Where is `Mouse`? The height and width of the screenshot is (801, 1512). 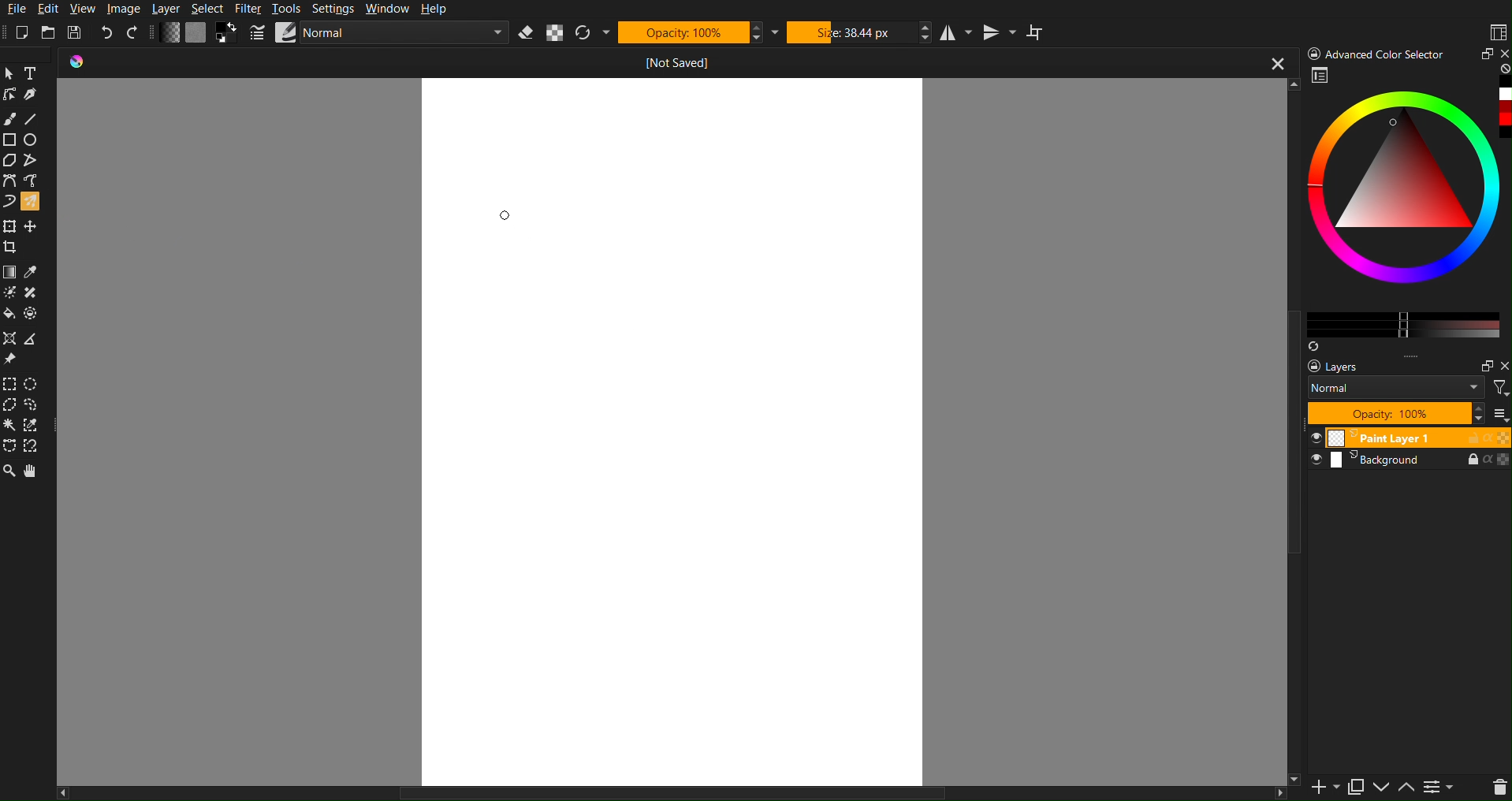
Mouse is located at coordinates (35, 201).